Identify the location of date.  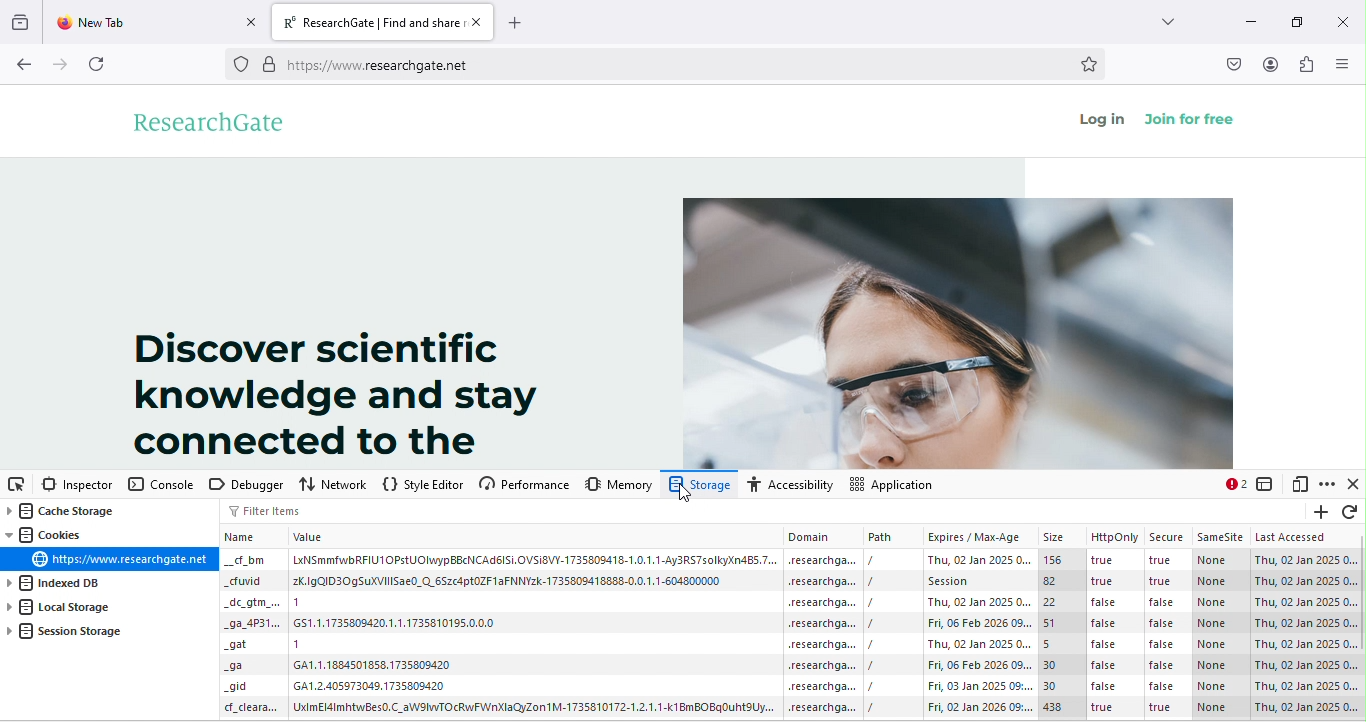
(1308, 644).